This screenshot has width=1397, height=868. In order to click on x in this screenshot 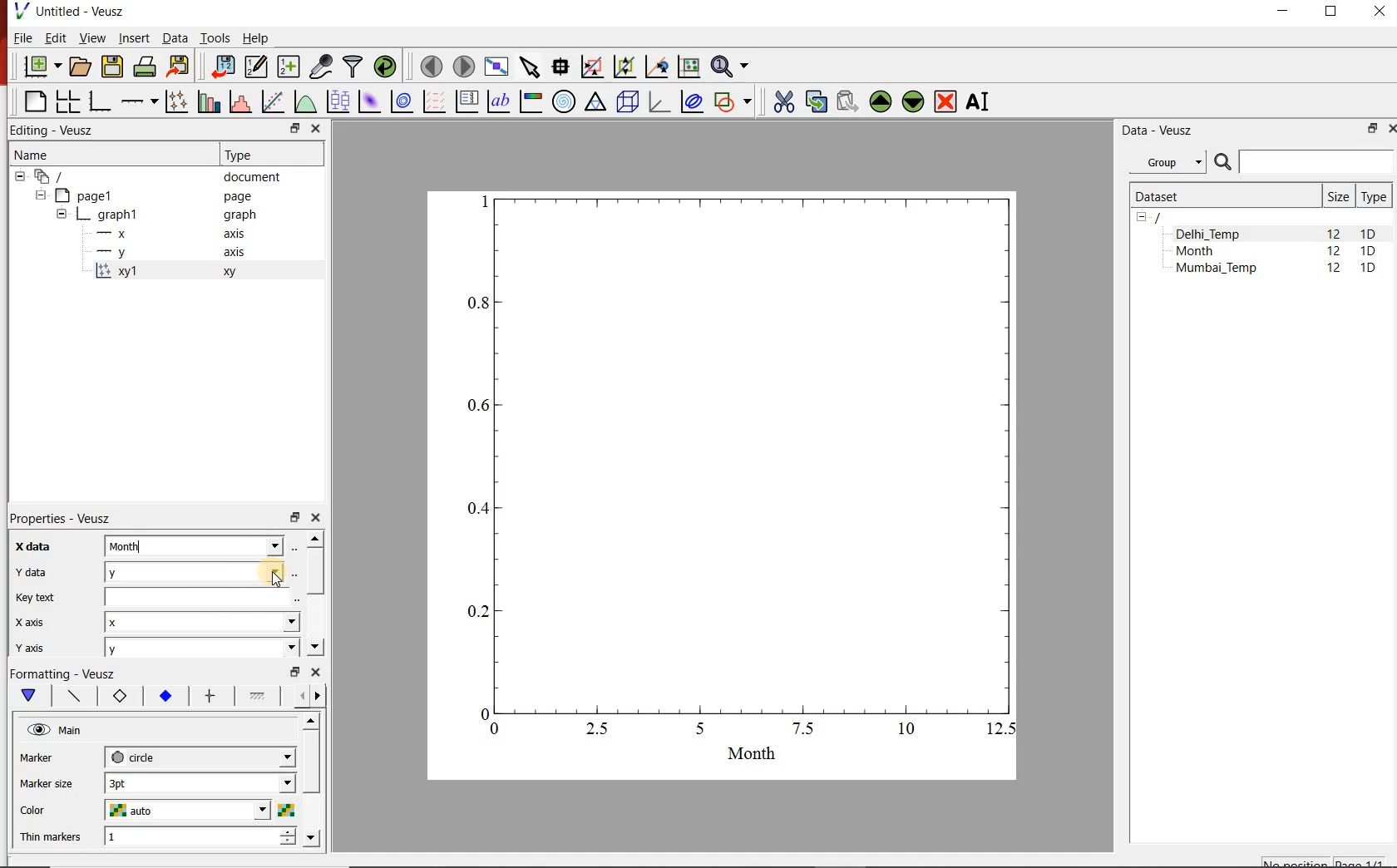, I will do `click(203, 621)`.